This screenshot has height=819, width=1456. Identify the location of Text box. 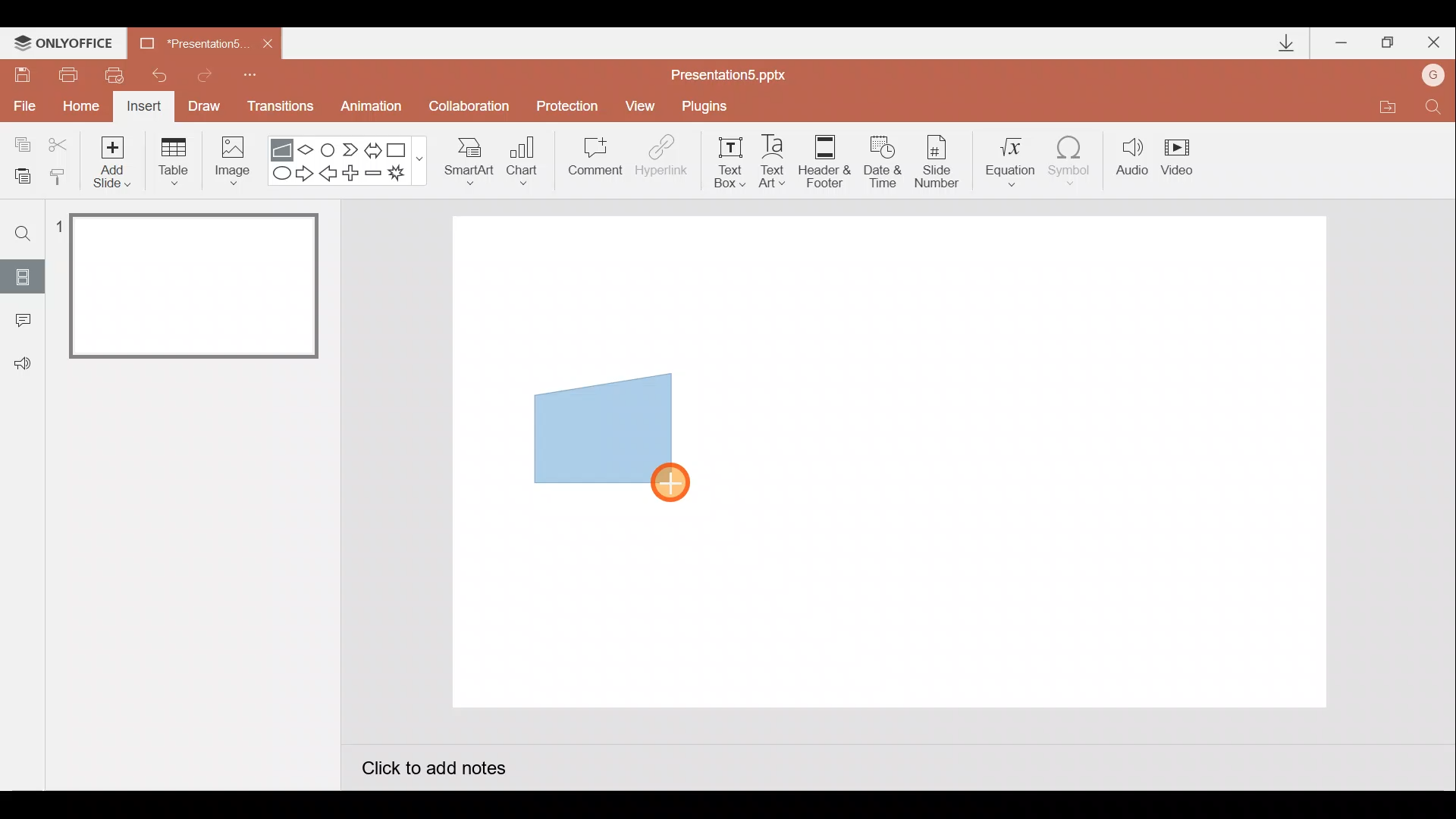
(725, 160).